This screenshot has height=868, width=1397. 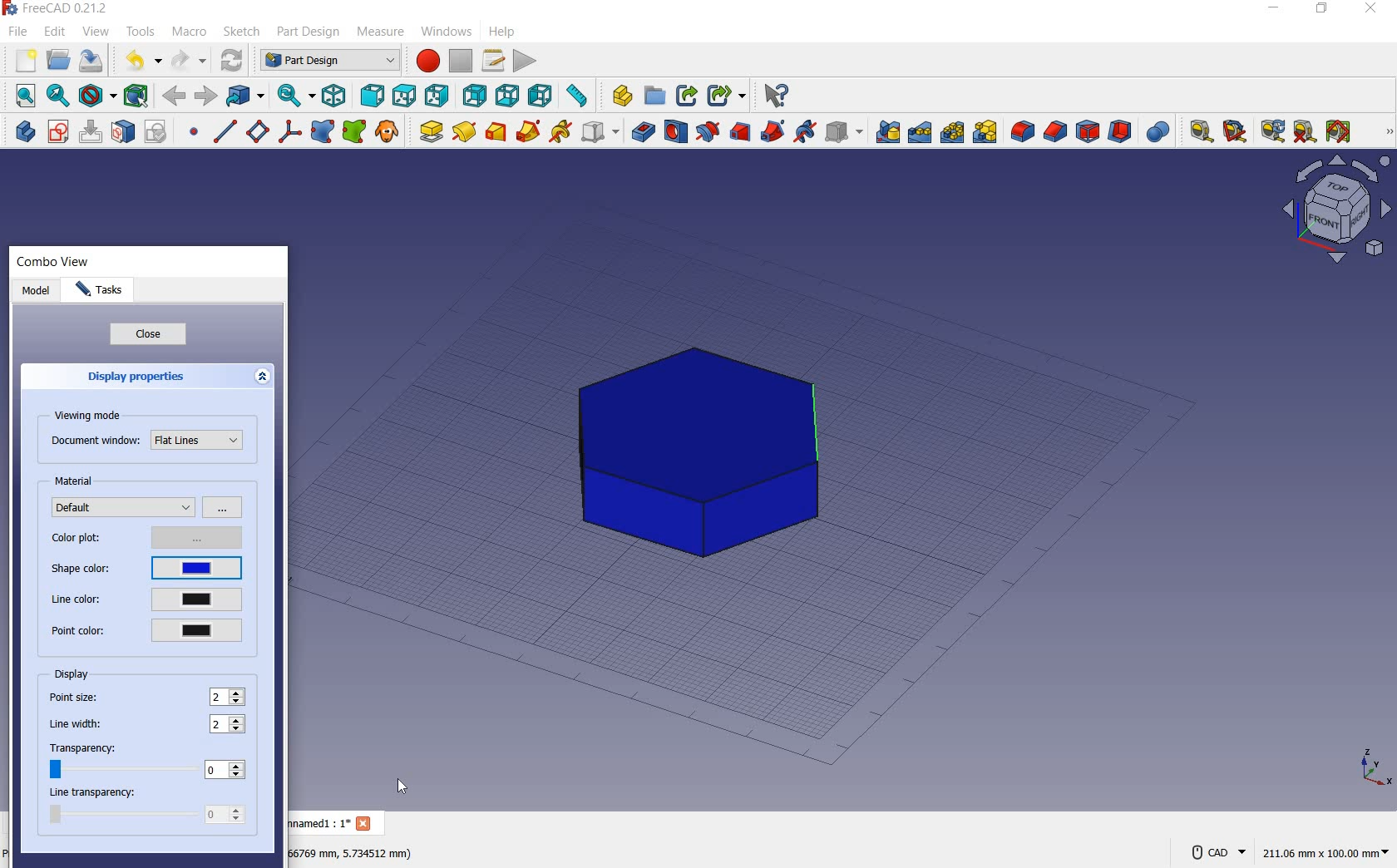 What do you see at coordinates (985, 132) in the screenshot?
I see `create MultiTransform` at bounding box center [985, 132].